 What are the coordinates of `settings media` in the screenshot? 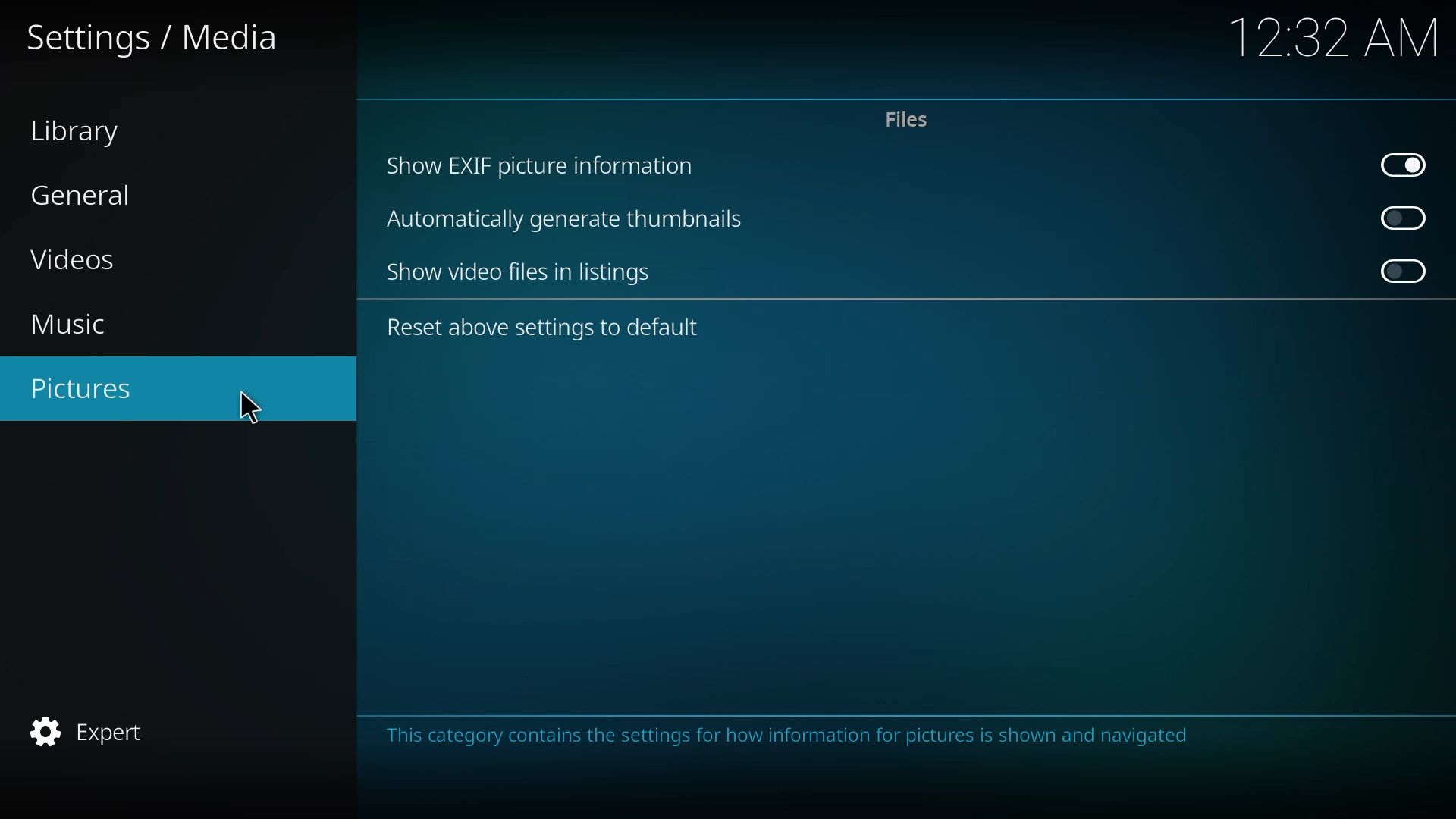 It's located at (156, 37).